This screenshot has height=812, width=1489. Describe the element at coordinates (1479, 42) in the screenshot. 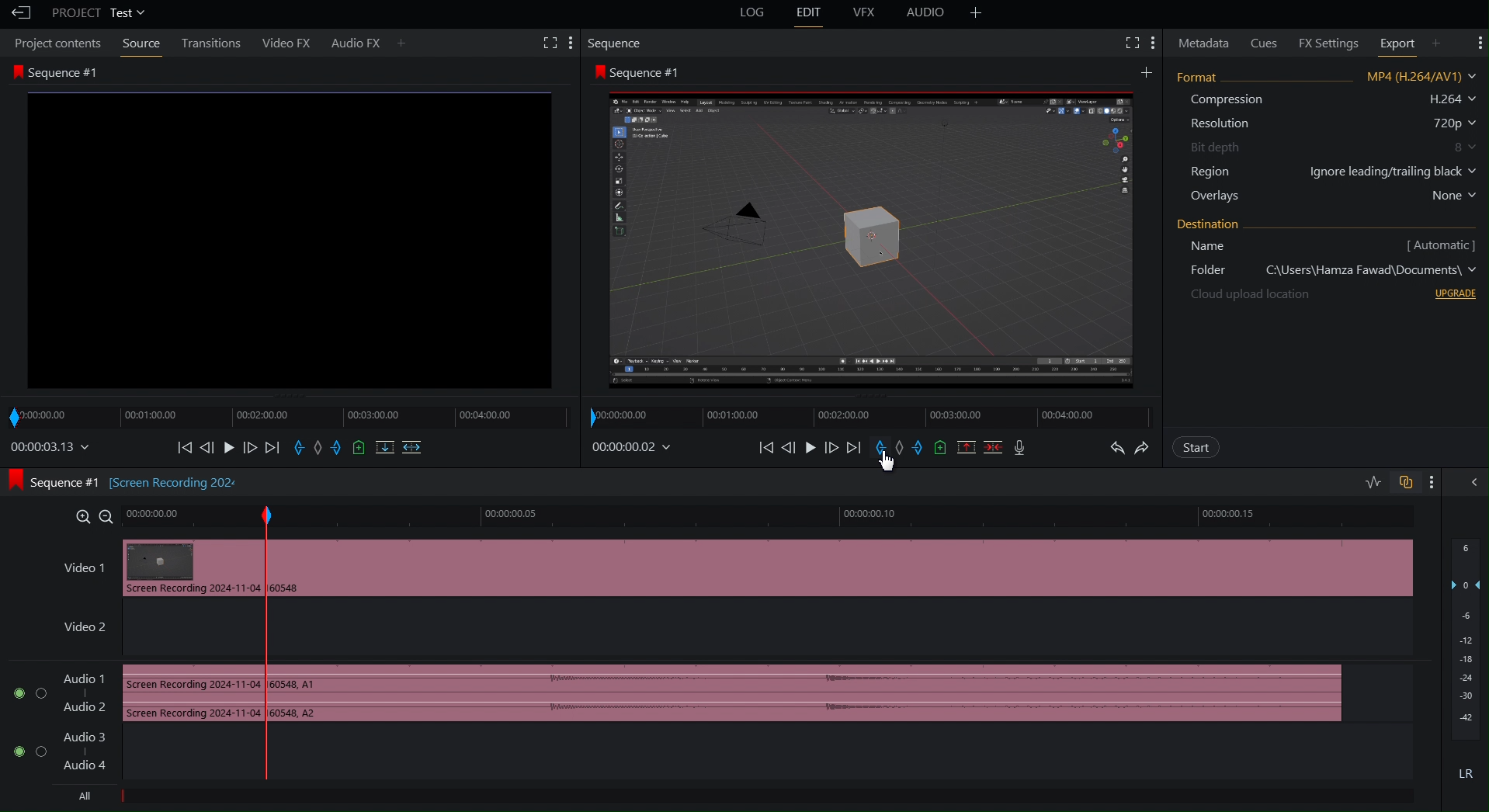

I see `Settings` at that location.